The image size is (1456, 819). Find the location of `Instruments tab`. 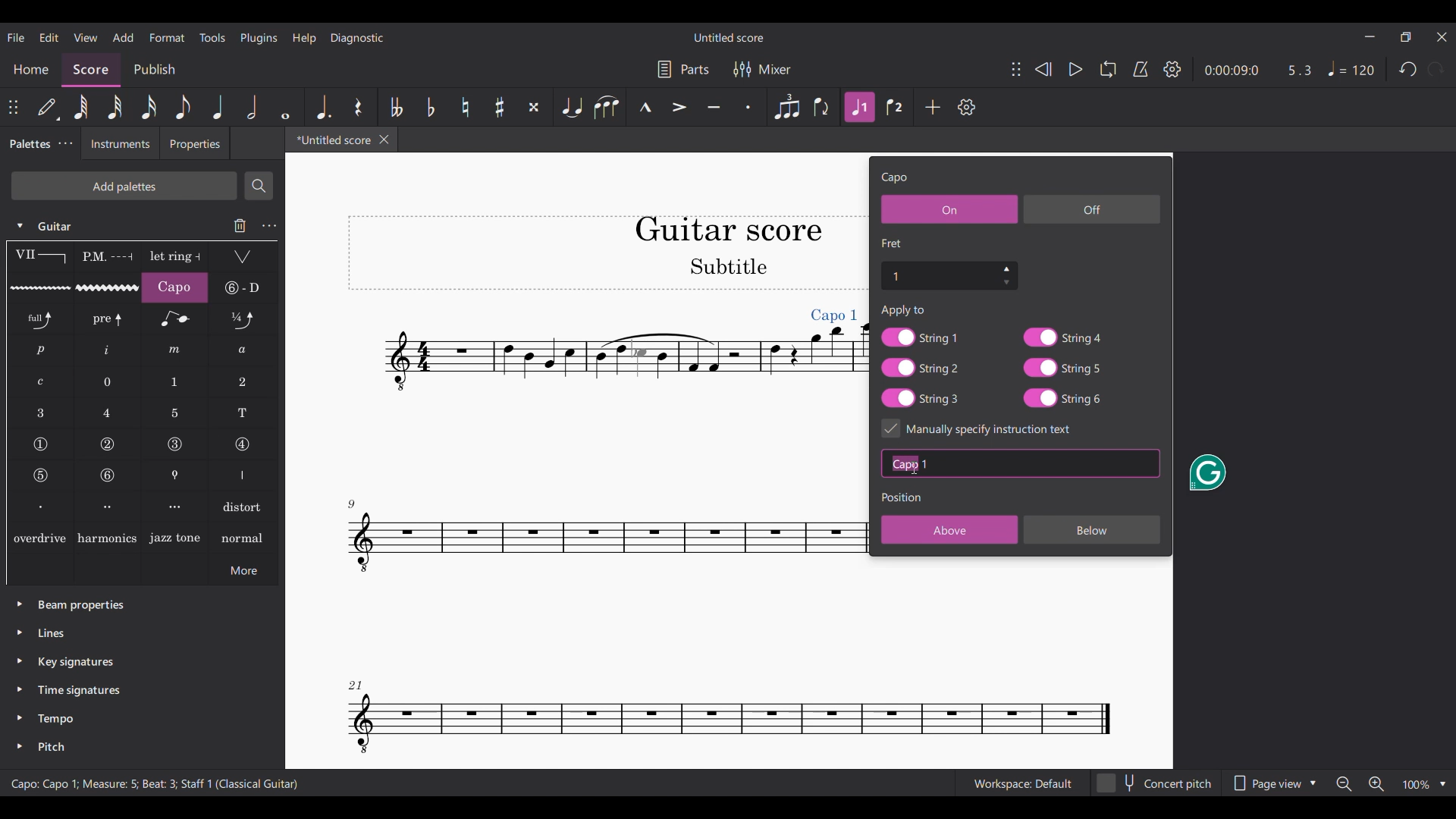

Instruments tab is located at coordinates (120, 143).